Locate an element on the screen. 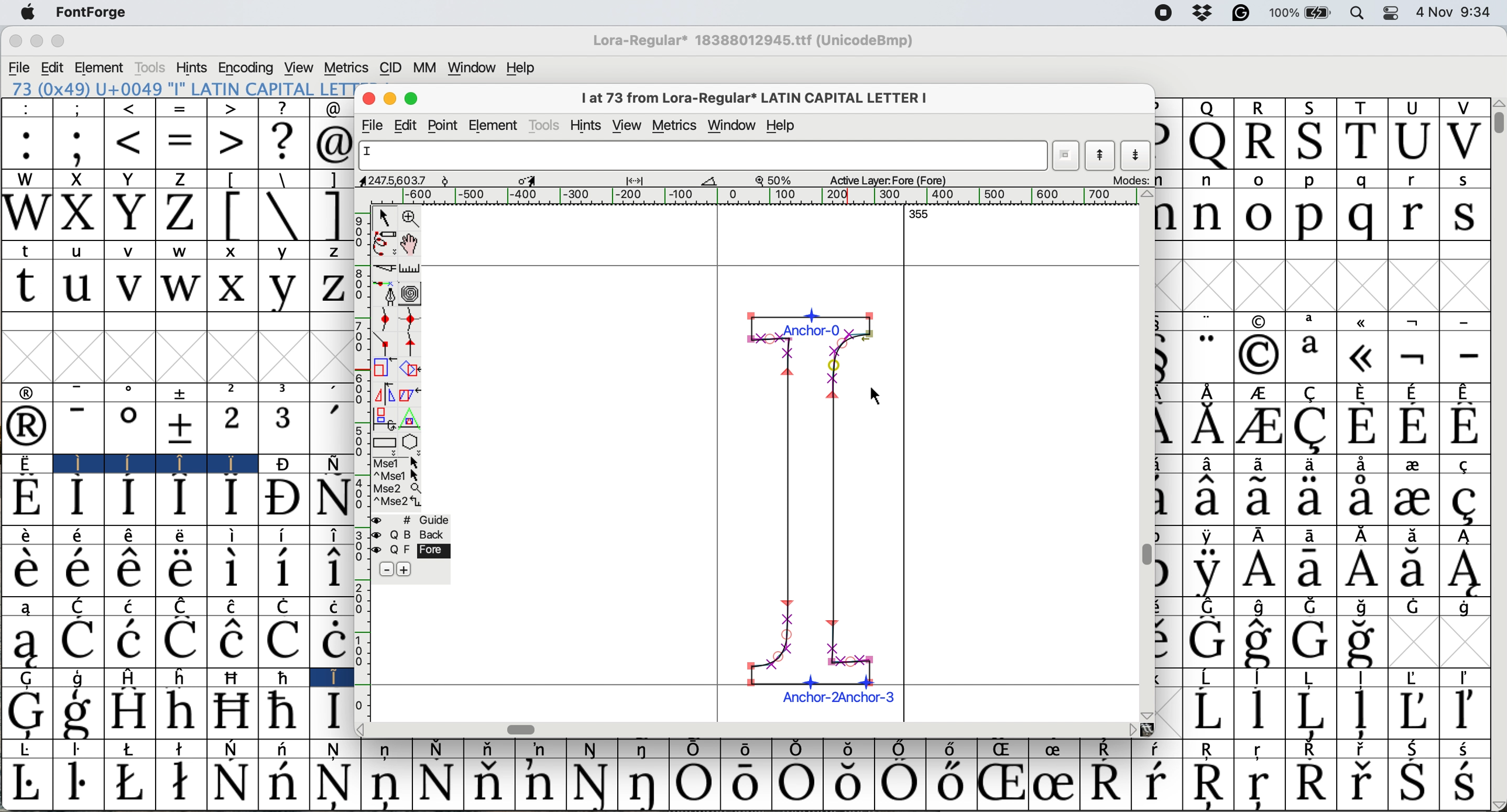 This screenshot has height=812, width=1507. Symbol is located at coordinates (335, 785).